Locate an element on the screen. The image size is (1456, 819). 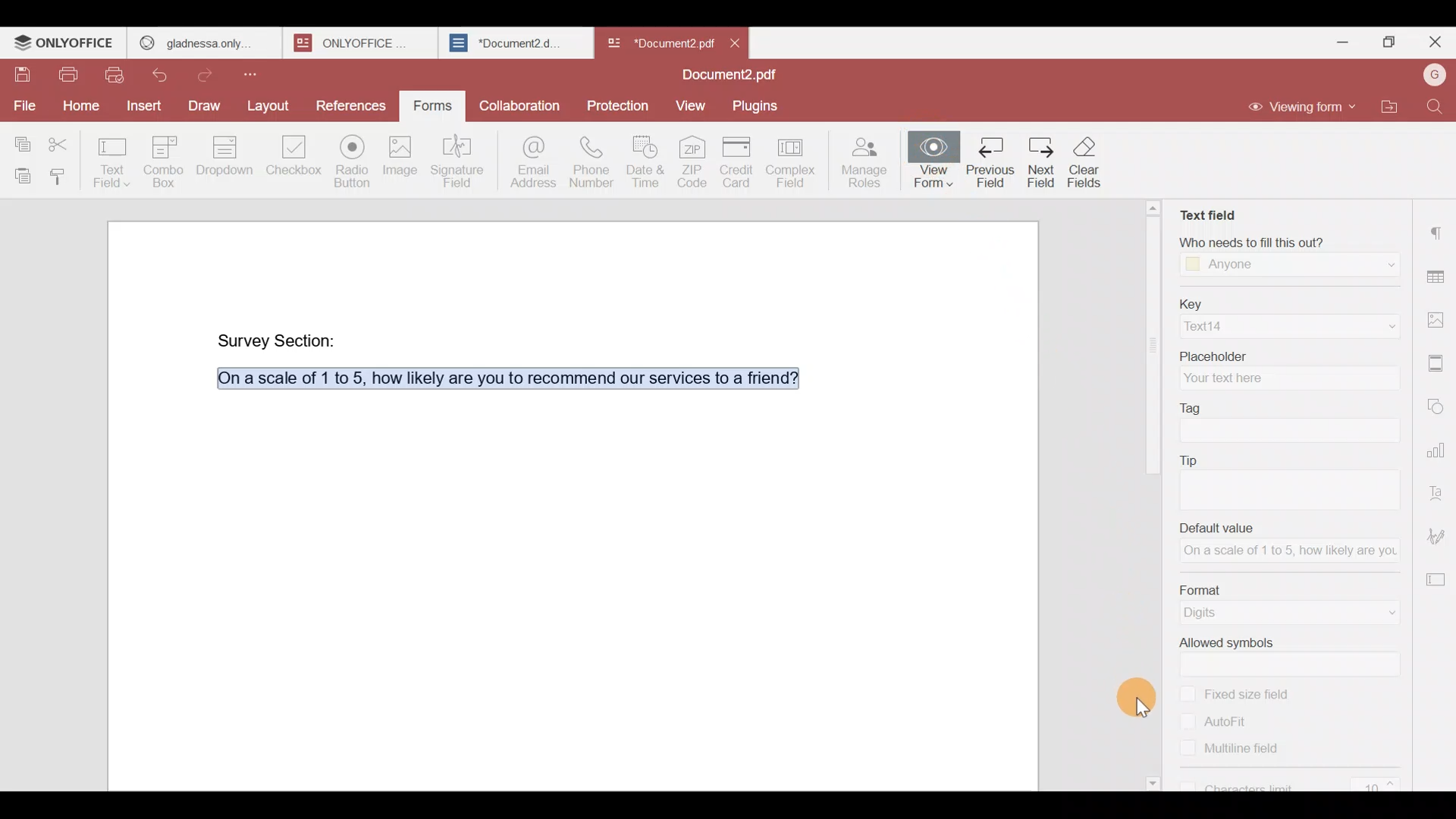
Signature settings is located at coordinates (1438, 536).